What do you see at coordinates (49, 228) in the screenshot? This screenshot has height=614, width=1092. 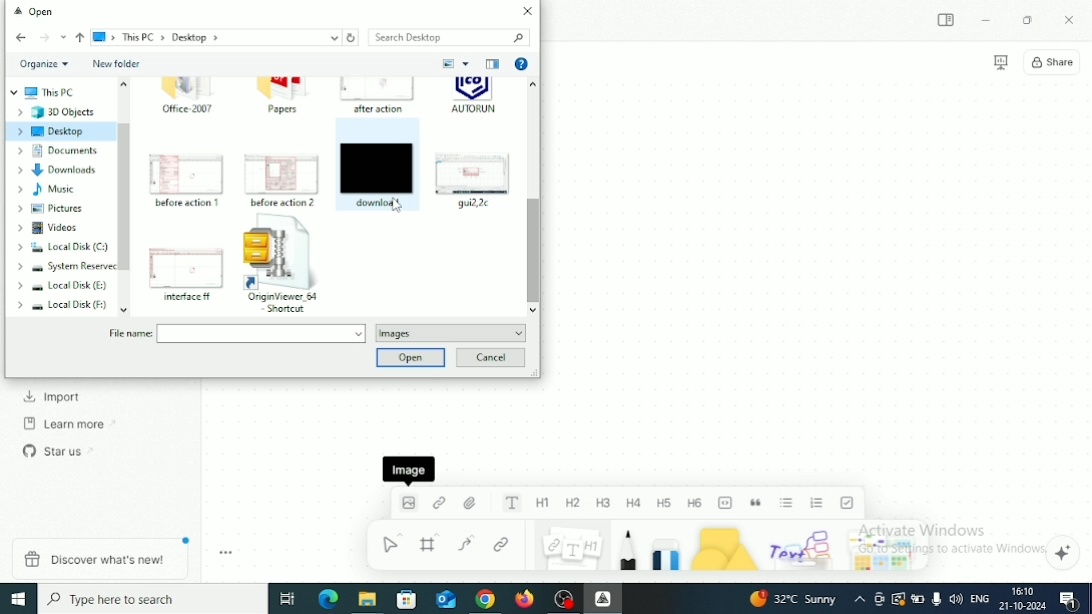 I see `Videos` at bounding box center [49, 228].